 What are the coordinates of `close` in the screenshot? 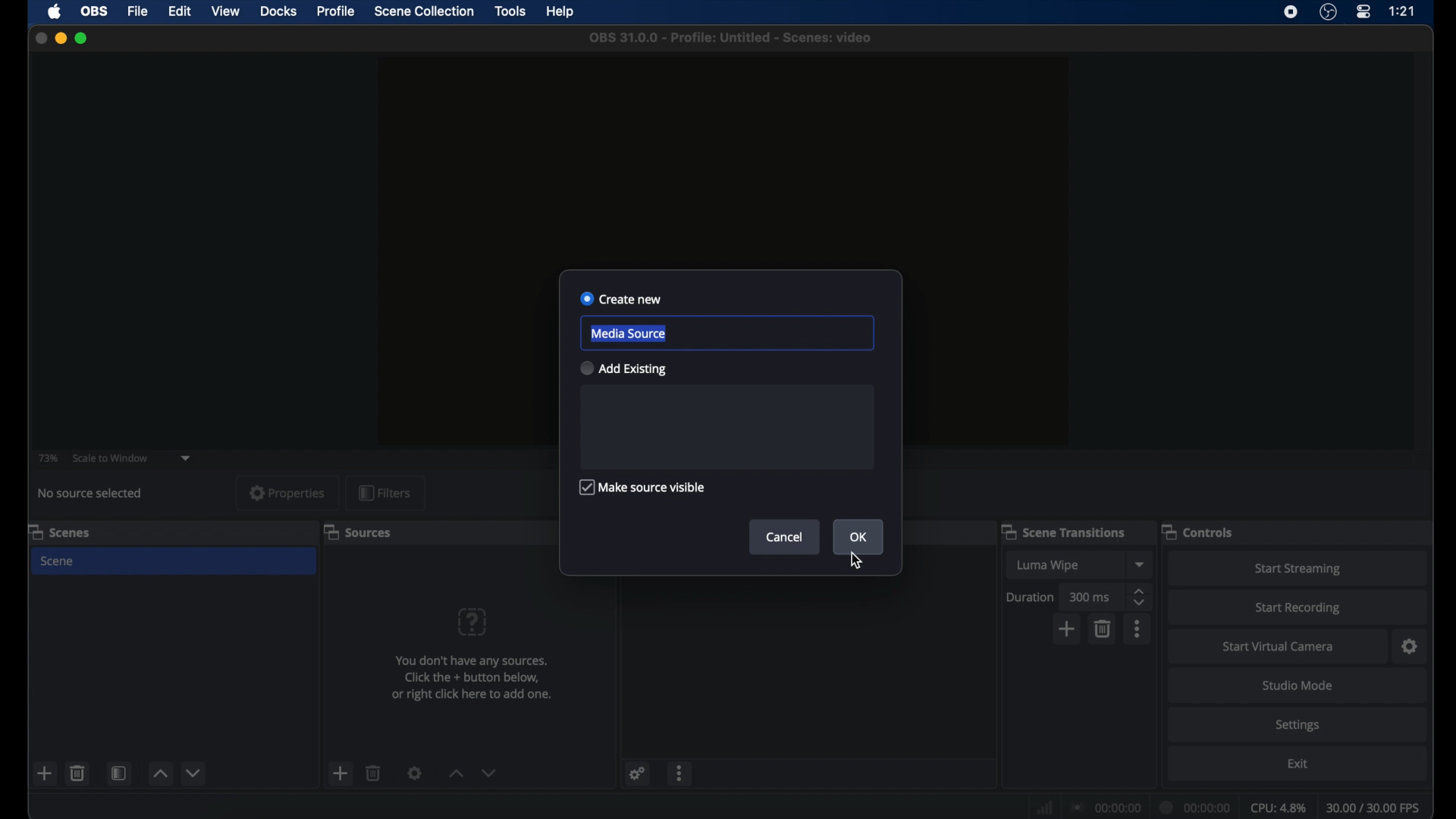 It's located at (40, 38).